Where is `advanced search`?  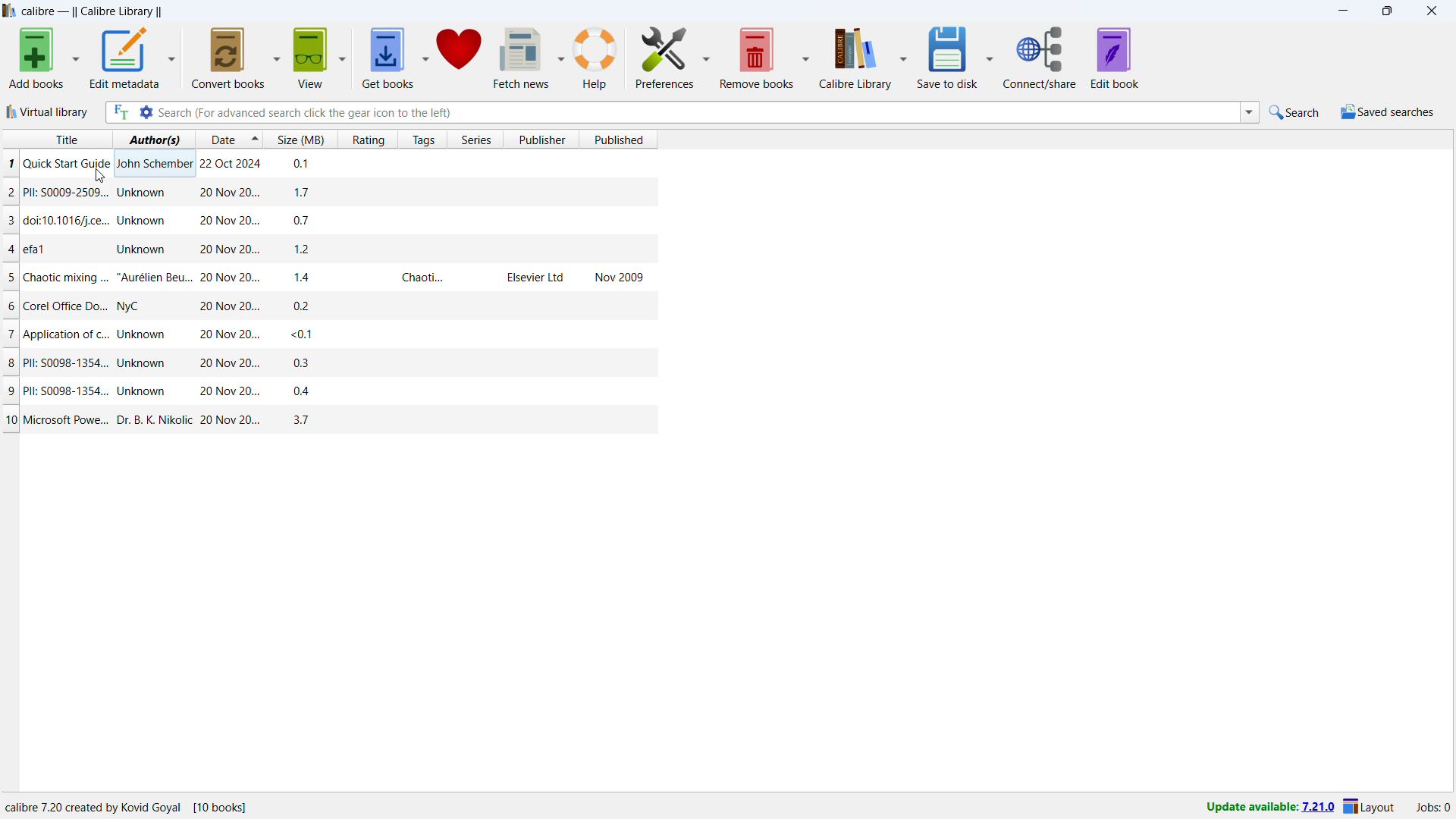
advanced search is located at coordinates (146, 113).